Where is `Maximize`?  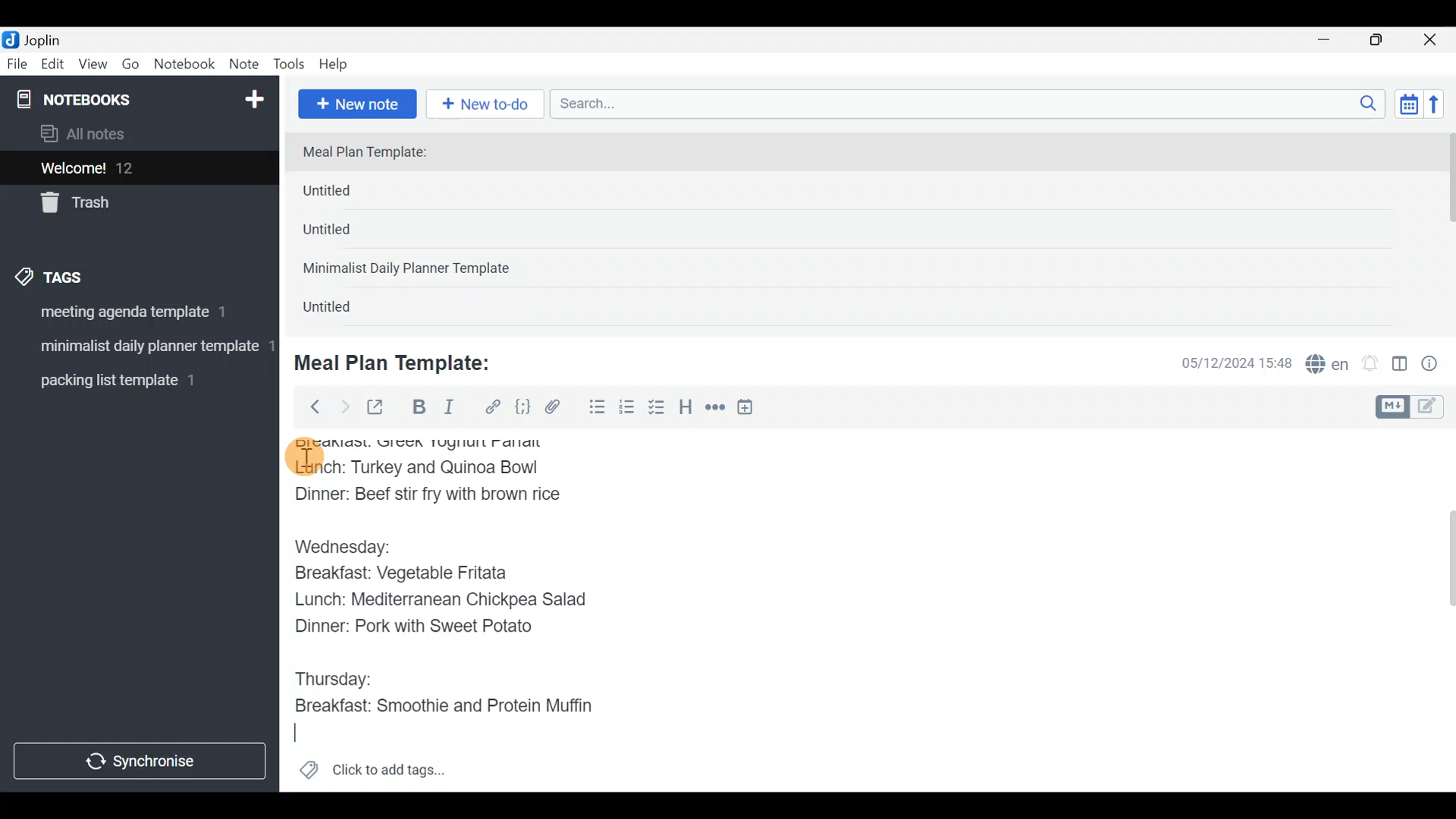 Maximize is located at coordinates (1385, 40).